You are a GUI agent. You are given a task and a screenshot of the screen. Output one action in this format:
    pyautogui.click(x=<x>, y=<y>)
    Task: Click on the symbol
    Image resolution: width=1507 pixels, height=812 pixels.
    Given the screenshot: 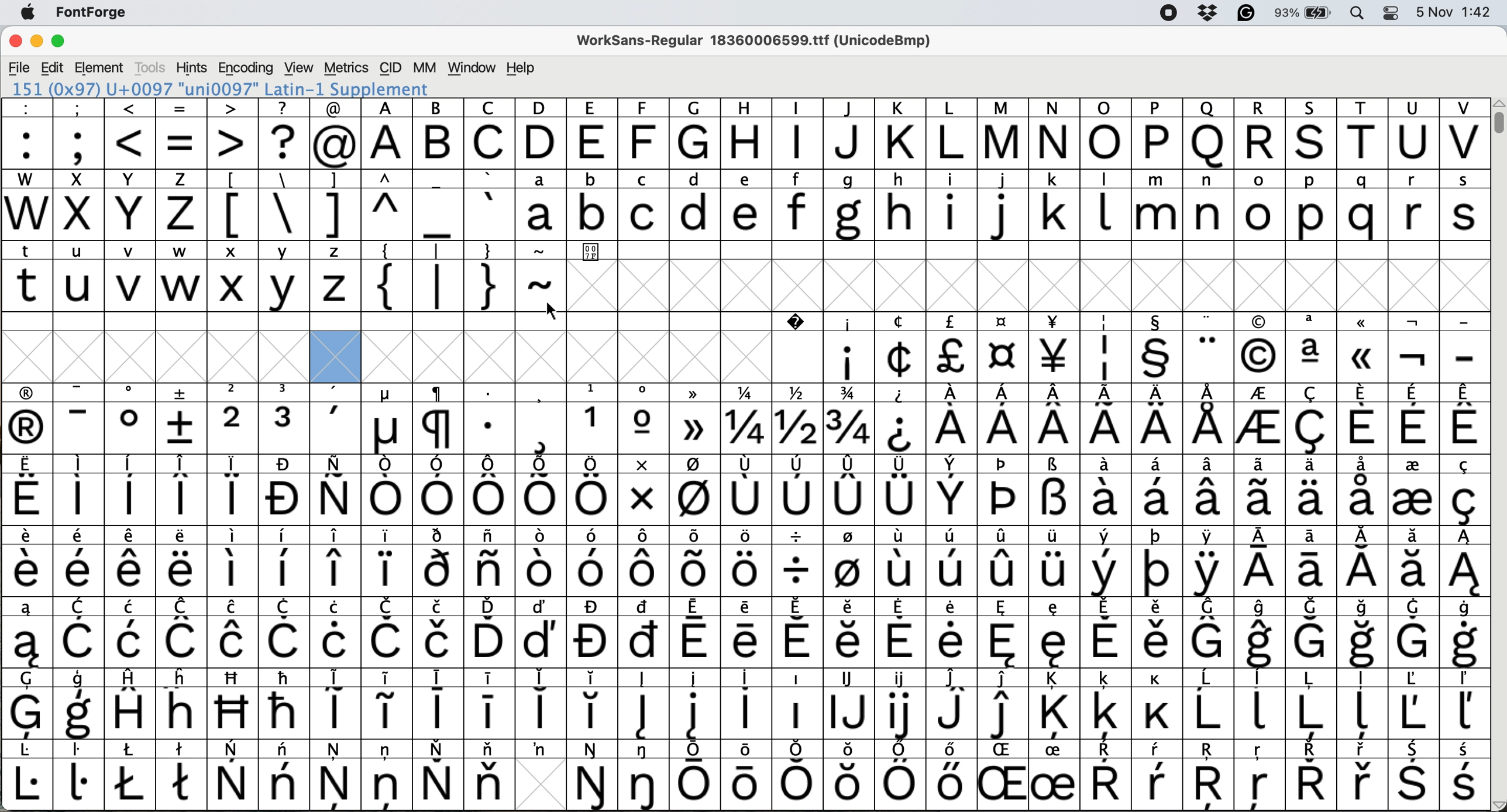 What is the action you would take?
    pyautogui.click(x=539, y=703)
    